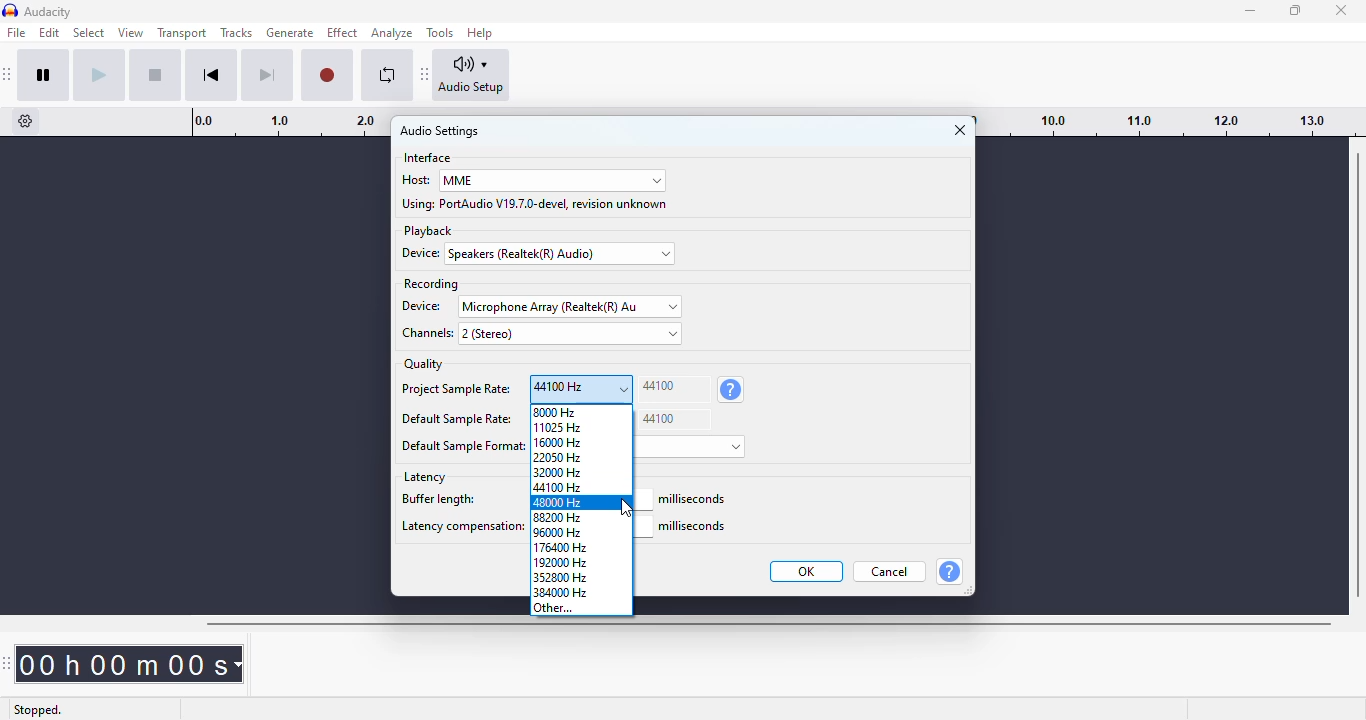 The image size is (1366, 720). Describe the element at coordinates (627, 508) in the screenshot. I see `cursor` at that location.